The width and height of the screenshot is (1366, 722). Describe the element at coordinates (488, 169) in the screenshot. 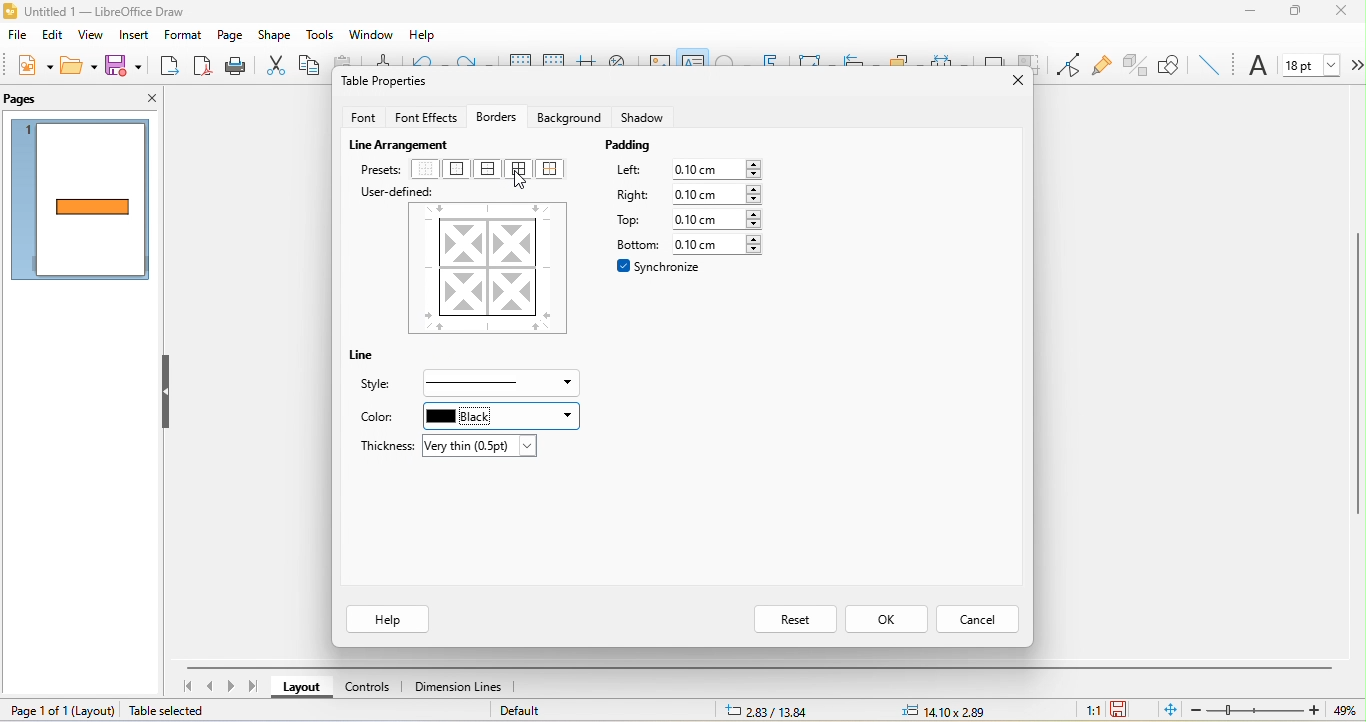

I see `outer border and horizontal line` at that location.